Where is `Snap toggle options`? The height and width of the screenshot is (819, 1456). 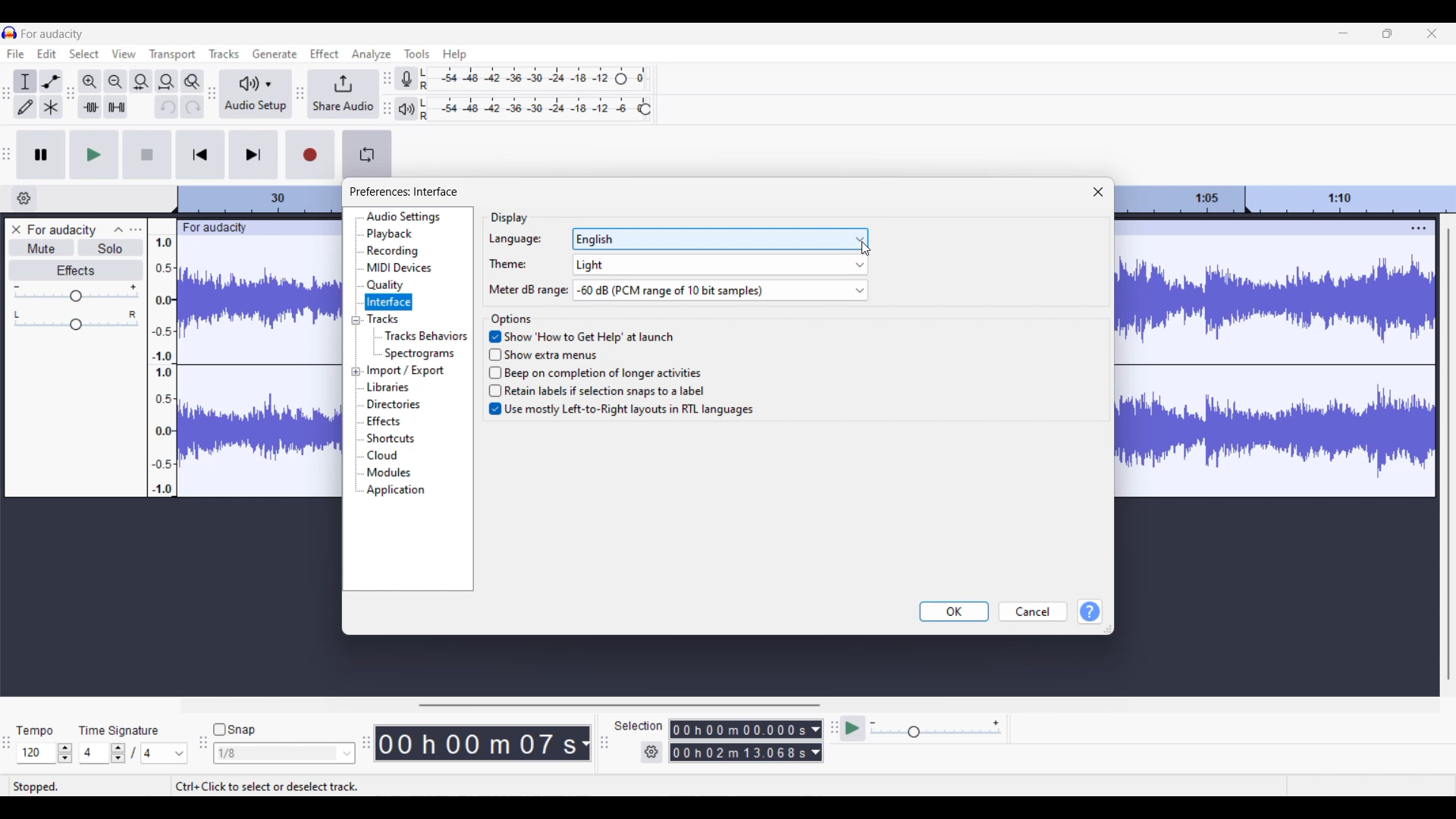
Snap toggle options is located at coordinates (284, 752).